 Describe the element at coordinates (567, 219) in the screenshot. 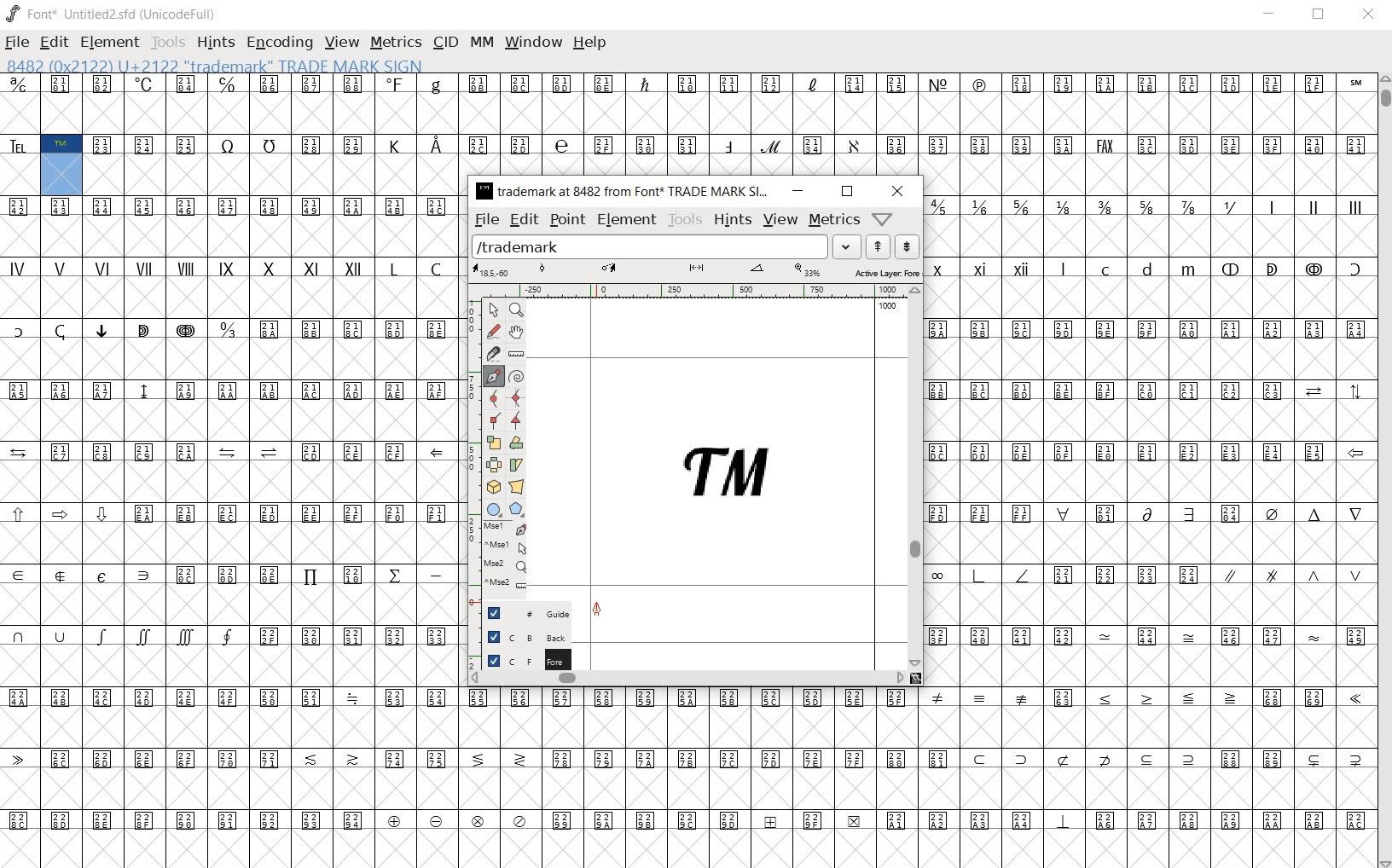

I see `point` at that location.